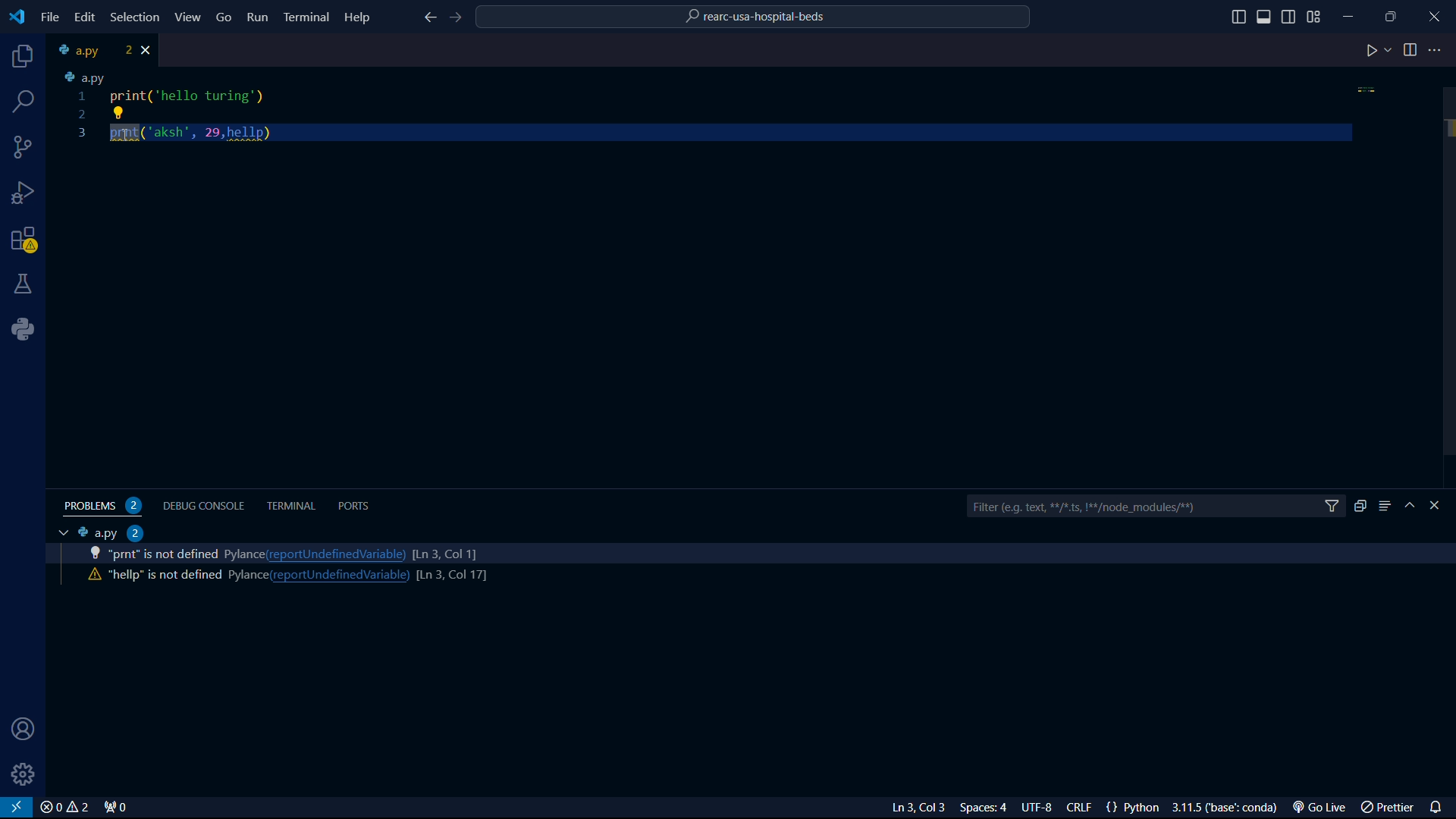 The image size is (1456, 819). What do you see at coordinates (1238, 17) in the screenshot?
I see `toggle sidebar` at bounding box center [1238, 17].